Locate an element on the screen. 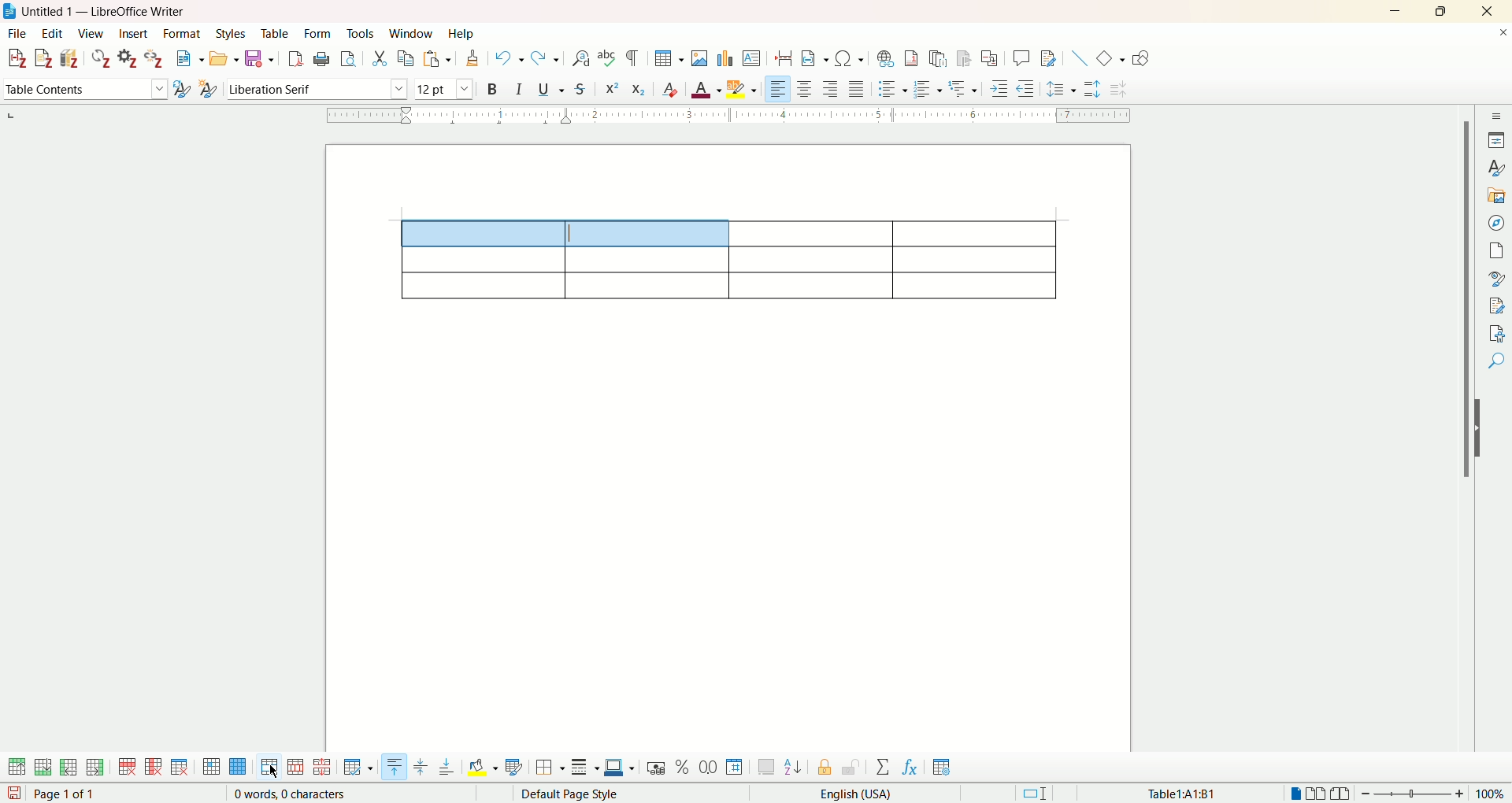 The width and height of the screenshot is (1512, 803). insert endnote is located at coordinates (942, 59).